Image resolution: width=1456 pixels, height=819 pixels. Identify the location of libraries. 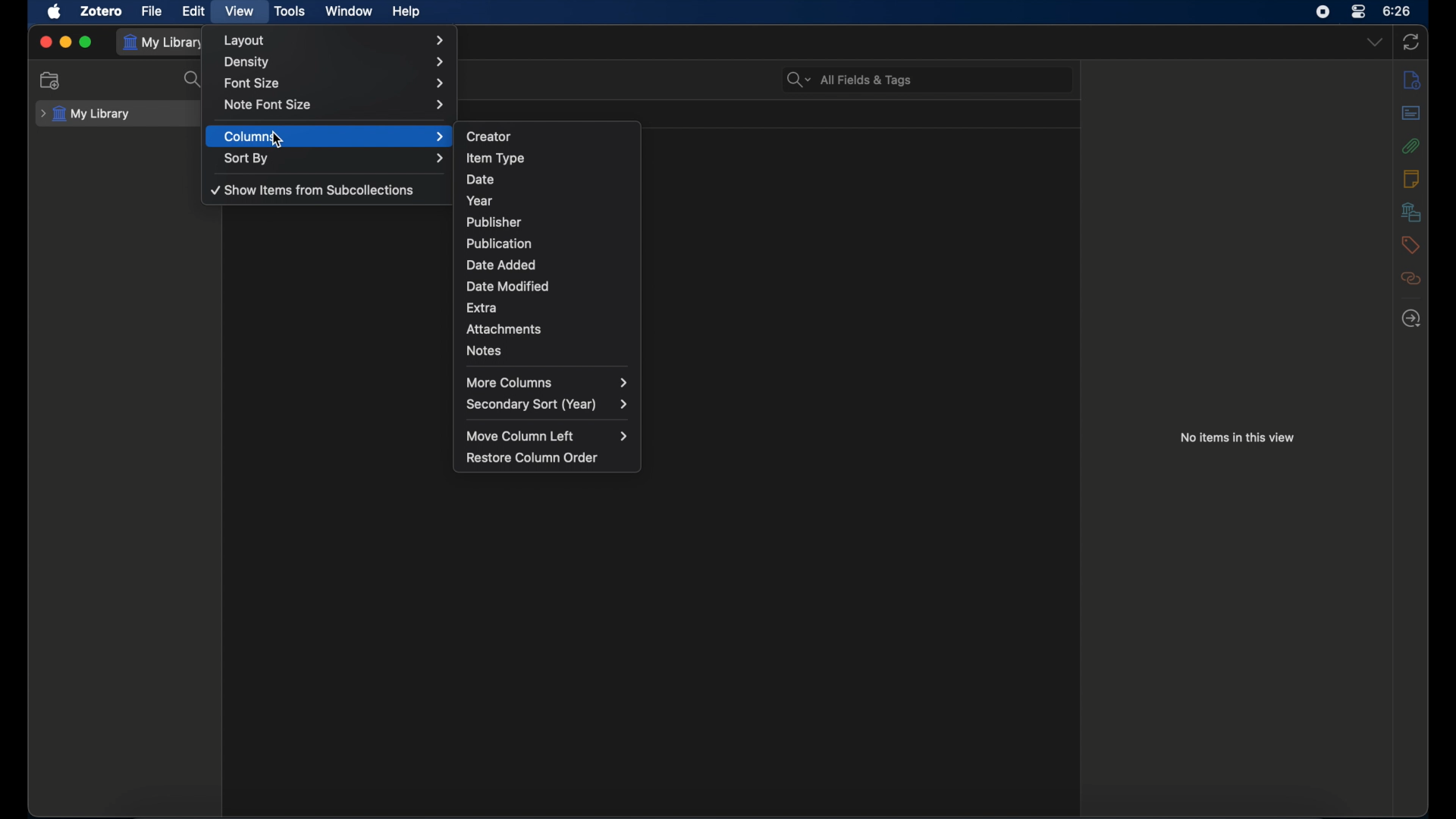
(1410, 212).